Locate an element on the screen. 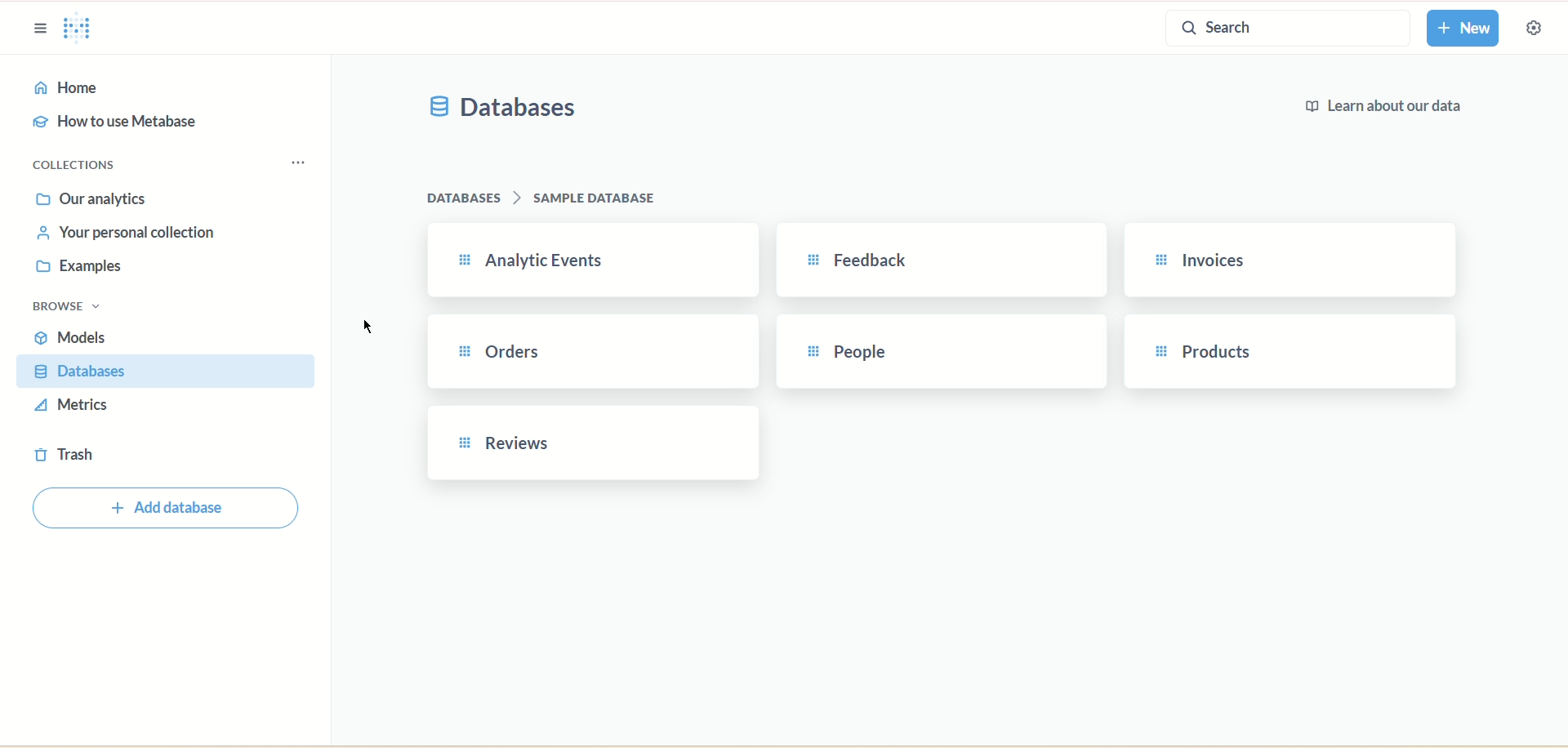 This screenshot has height=748, width=1568. settings is located at coordinates (1542, 30).